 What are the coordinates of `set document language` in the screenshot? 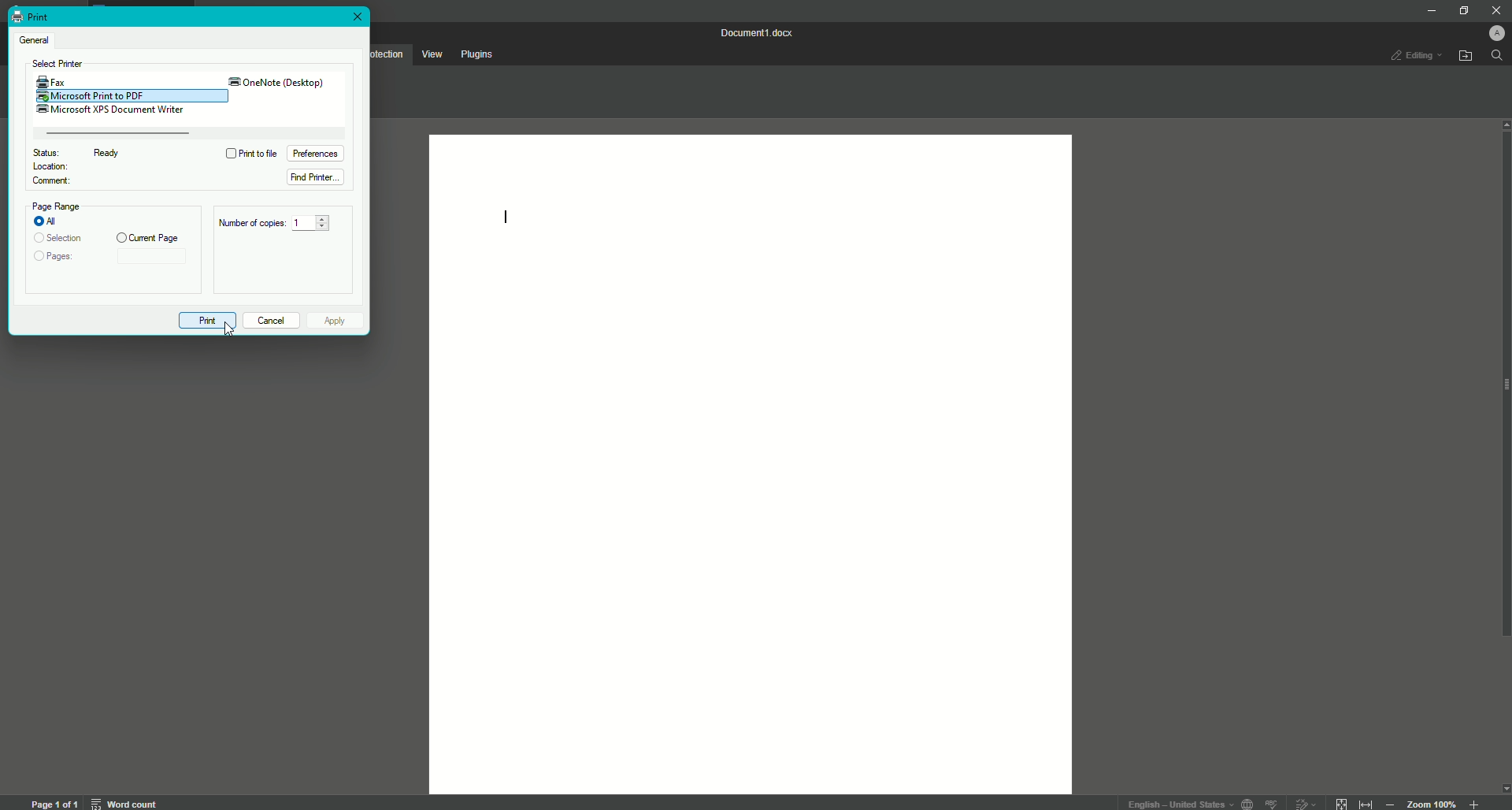 It's located at (1249, 803).